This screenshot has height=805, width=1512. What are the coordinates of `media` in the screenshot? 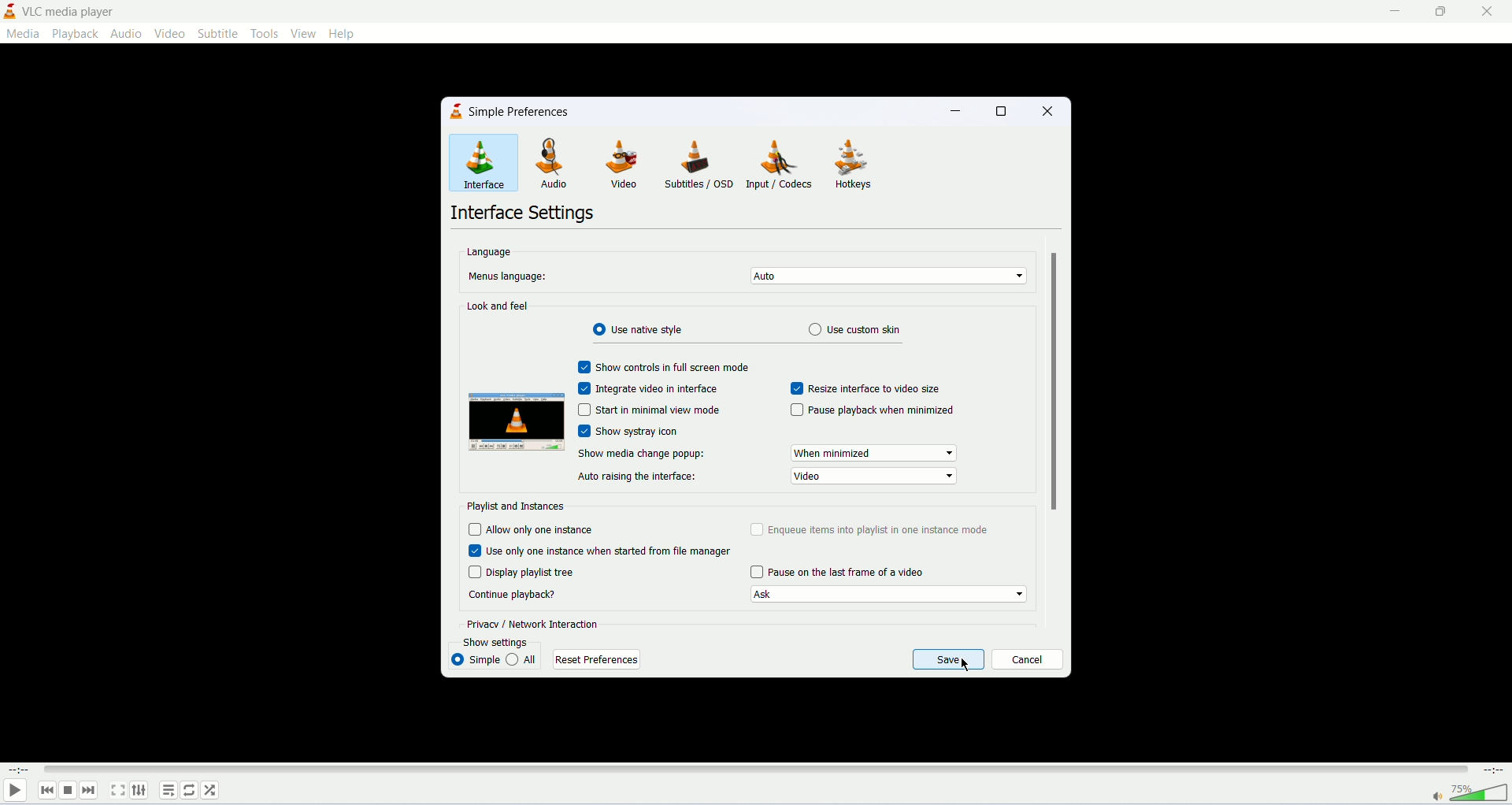 It's located at (23, 35).